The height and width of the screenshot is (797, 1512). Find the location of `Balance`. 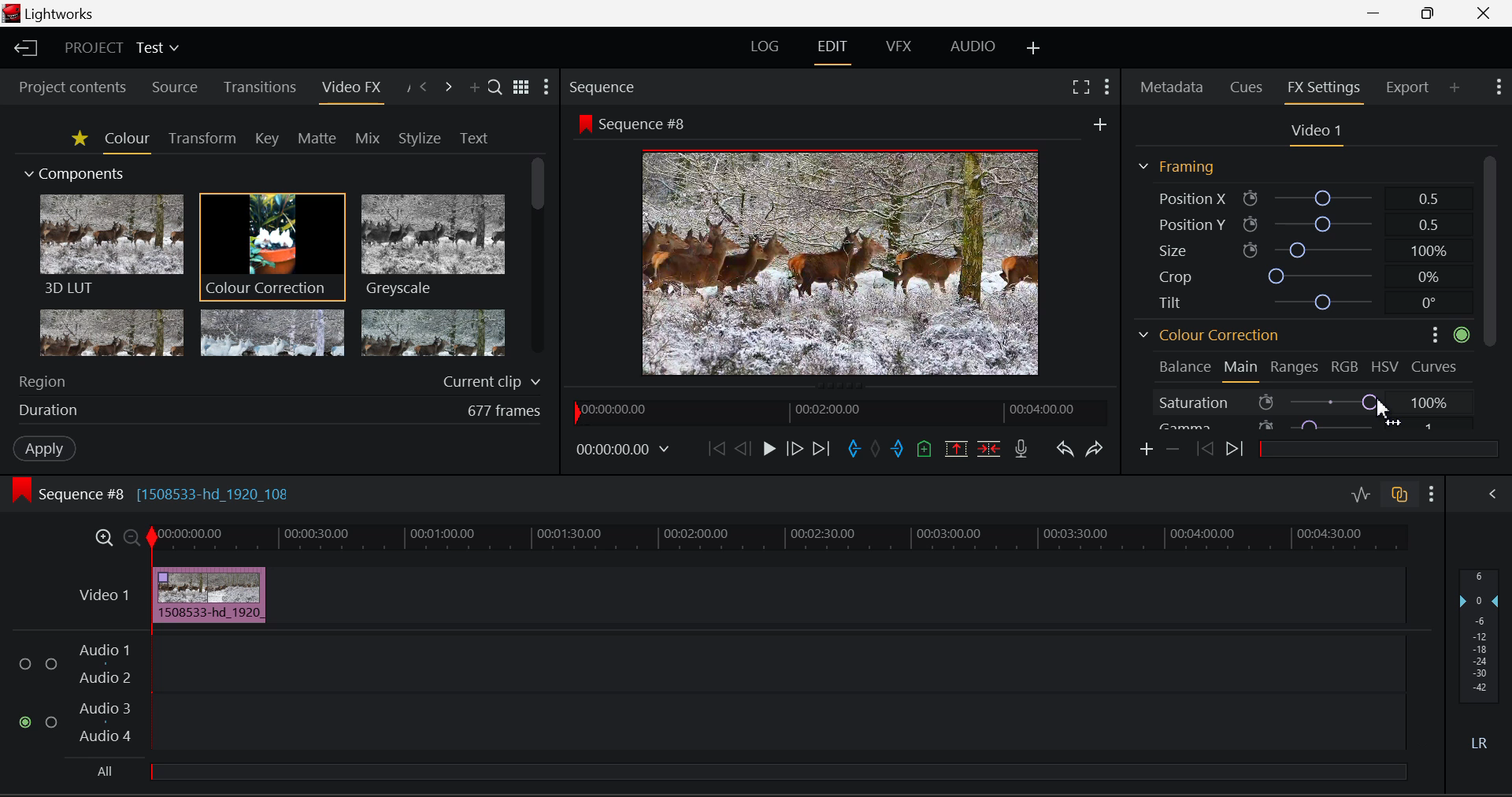

Balance is located at coordinates (1184, 366).